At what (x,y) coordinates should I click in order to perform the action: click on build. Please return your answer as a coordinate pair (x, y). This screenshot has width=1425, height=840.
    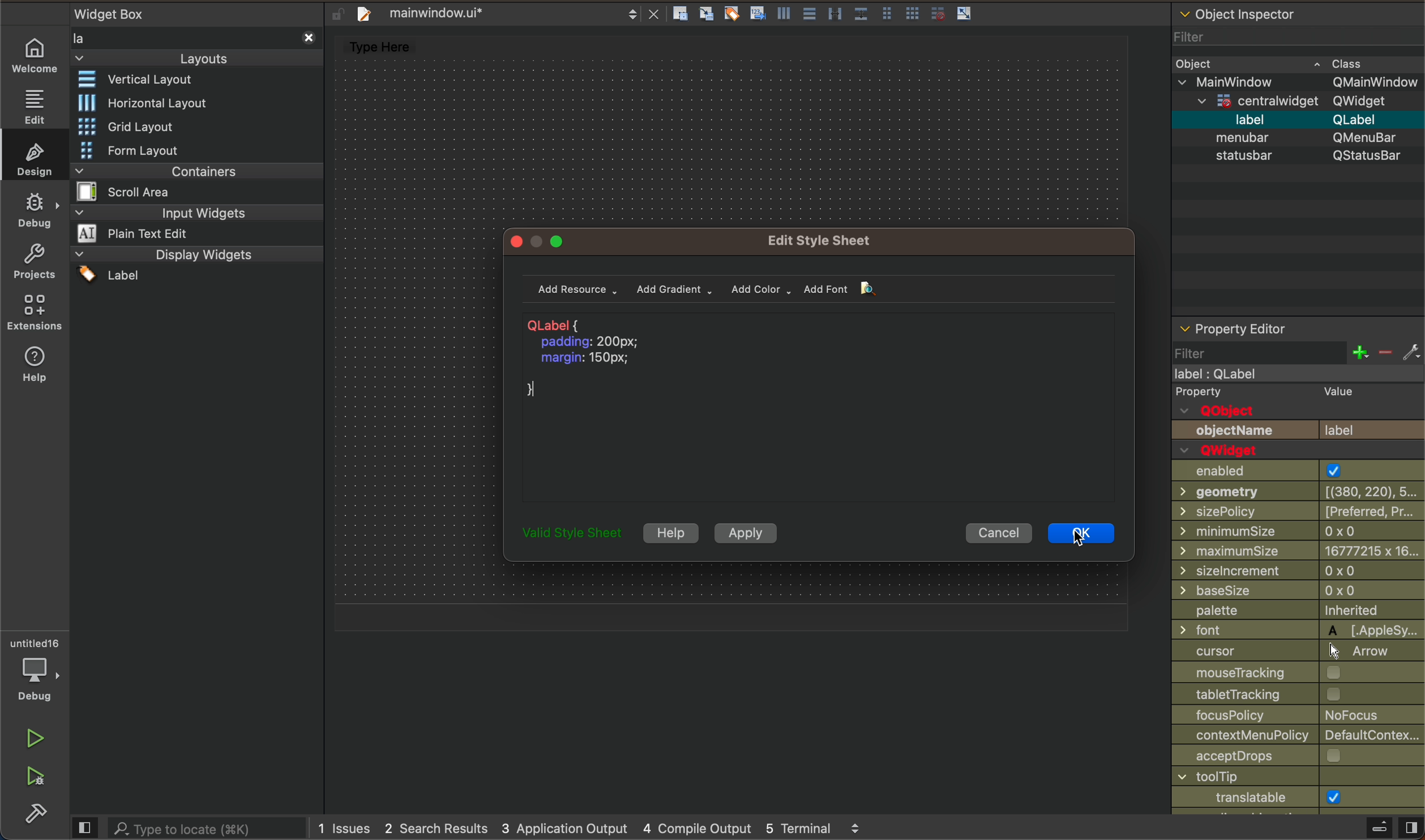
    Looking at the image, I should click on (31, 815).